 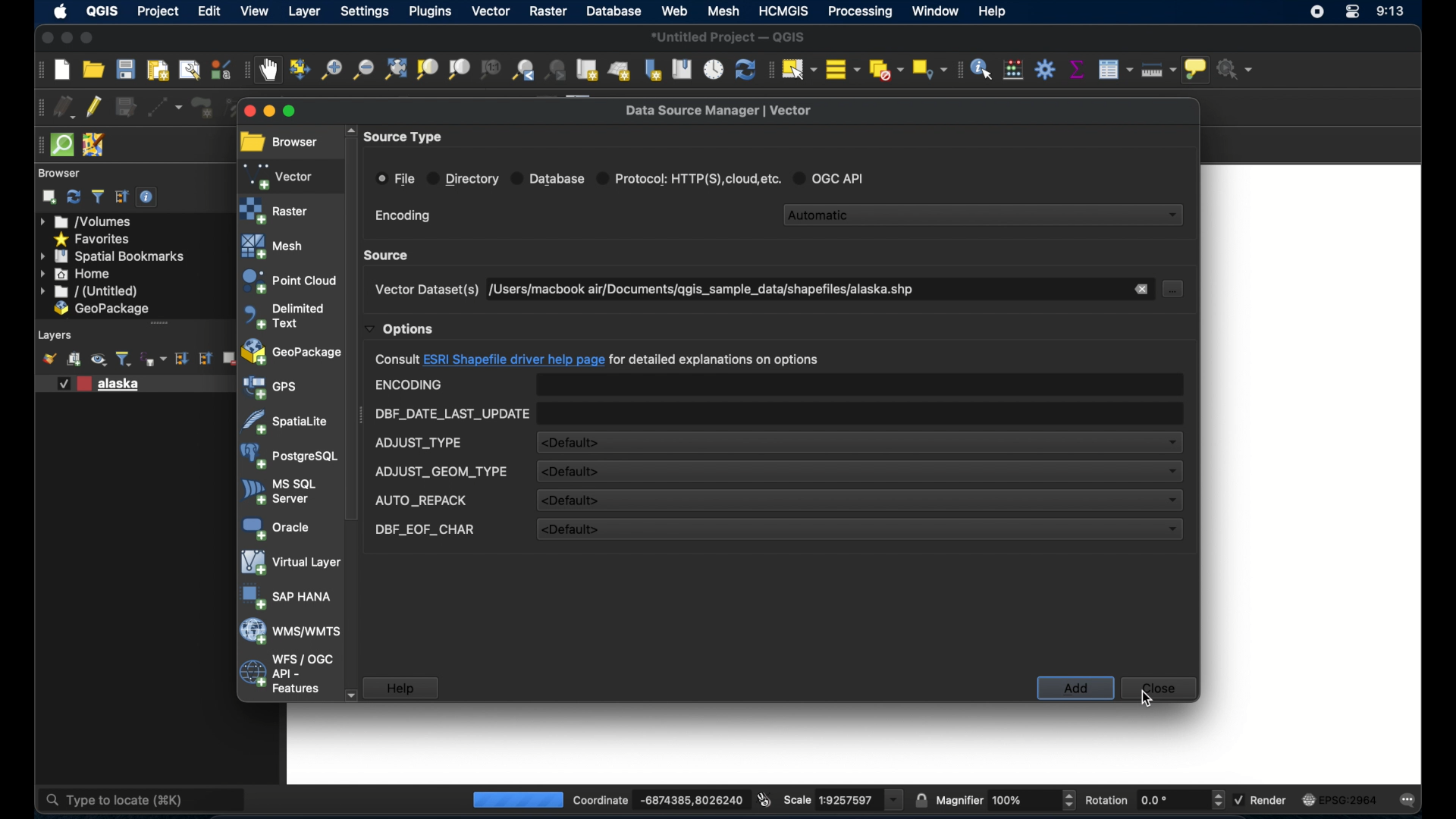 What do you see at coordinates (270, 71) in the screenshot?
I see `pan map` at bounding box center [270, 71].